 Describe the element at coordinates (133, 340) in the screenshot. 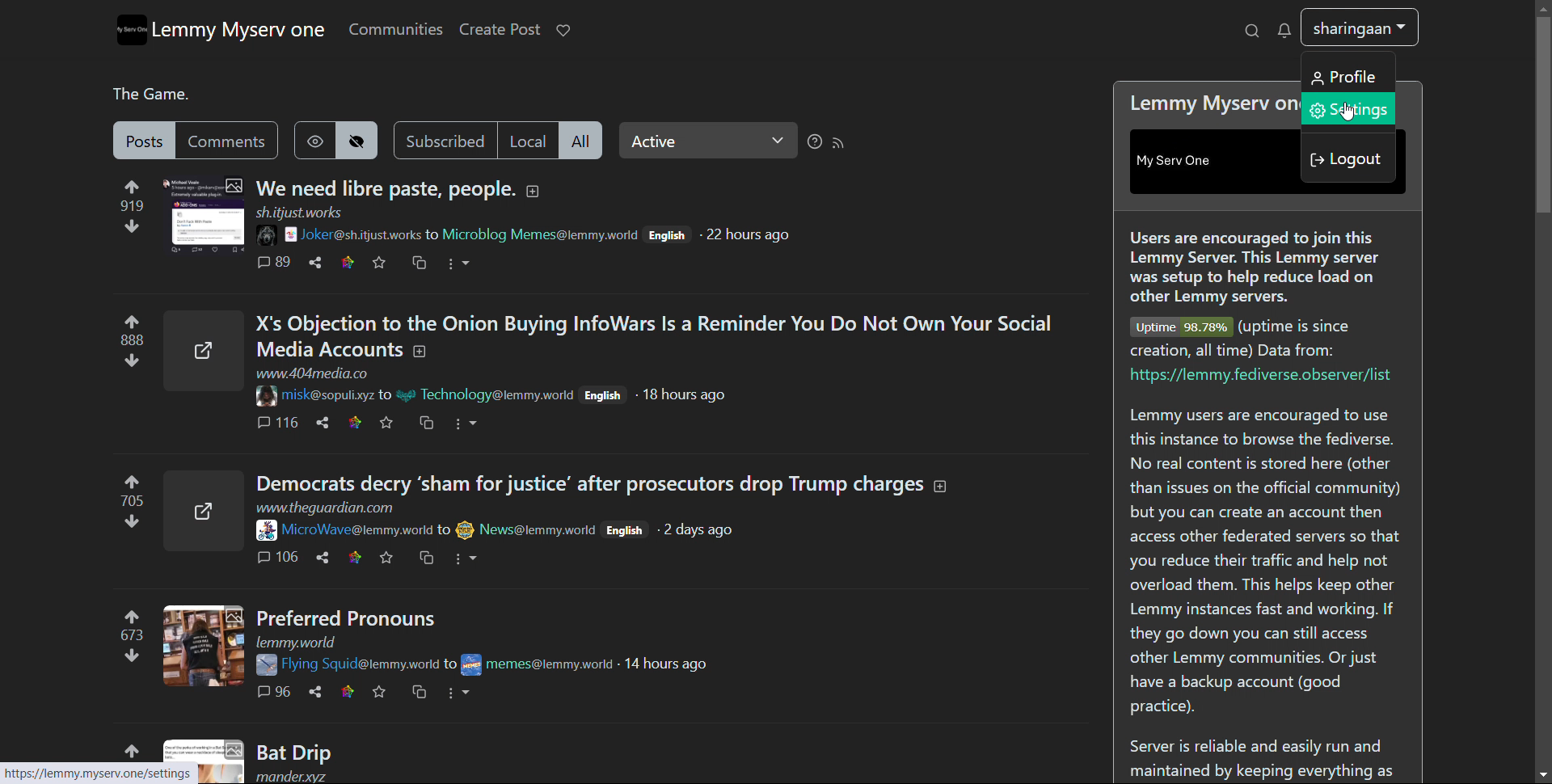

I see `888` at that location.